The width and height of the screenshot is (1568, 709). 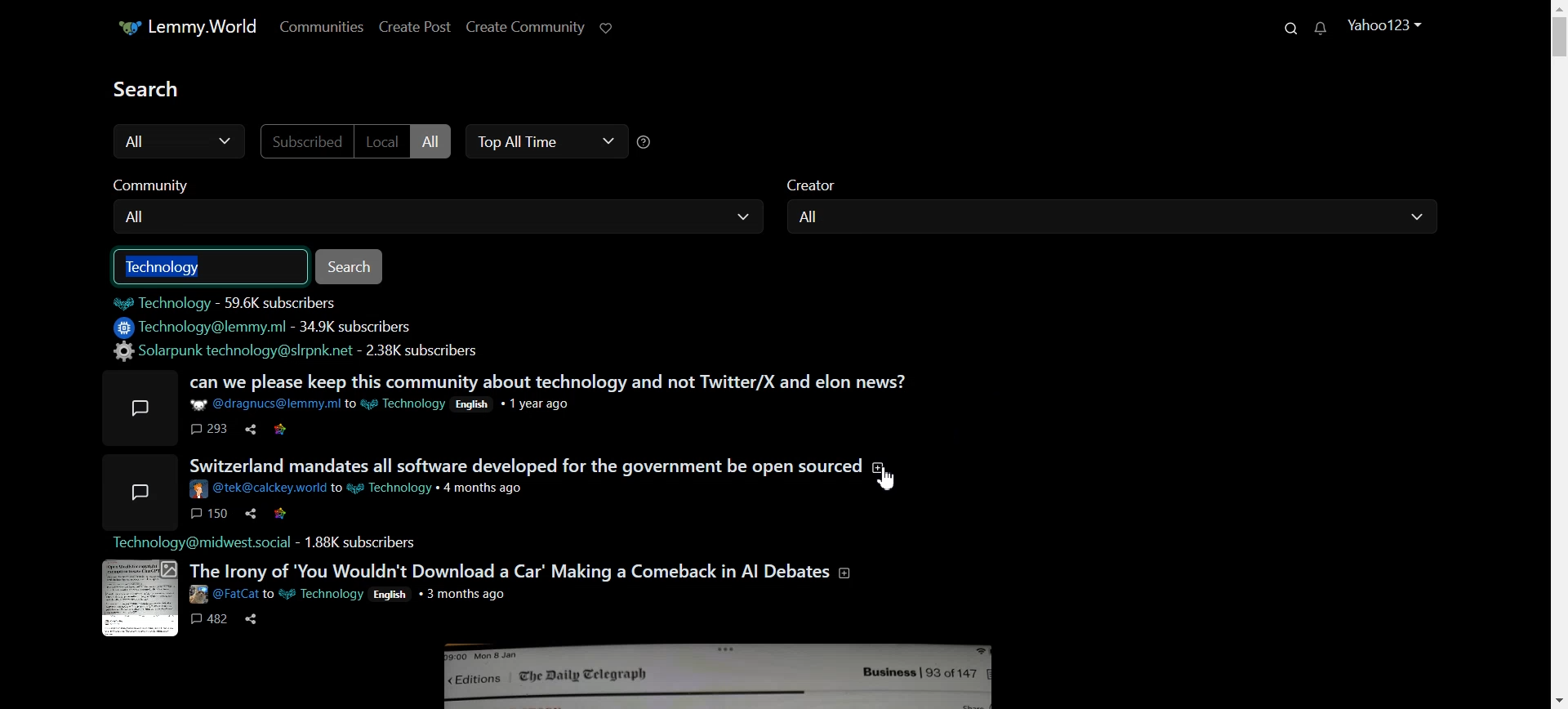 What do you see at coordinates (358, 489) in the screenshot?
I see `Post details` at bounding box center [358, 489].